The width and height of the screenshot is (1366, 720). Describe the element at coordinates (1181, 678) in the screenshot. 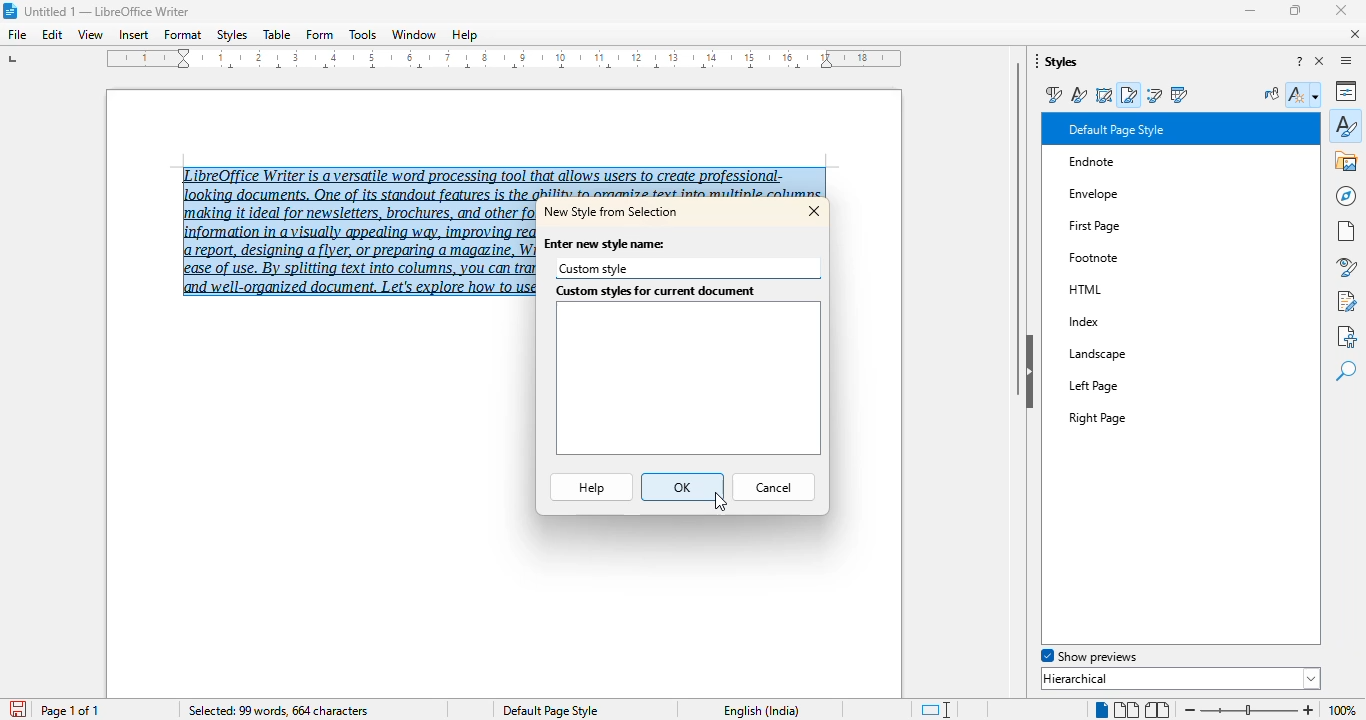

I see `hierarchical` at that location.